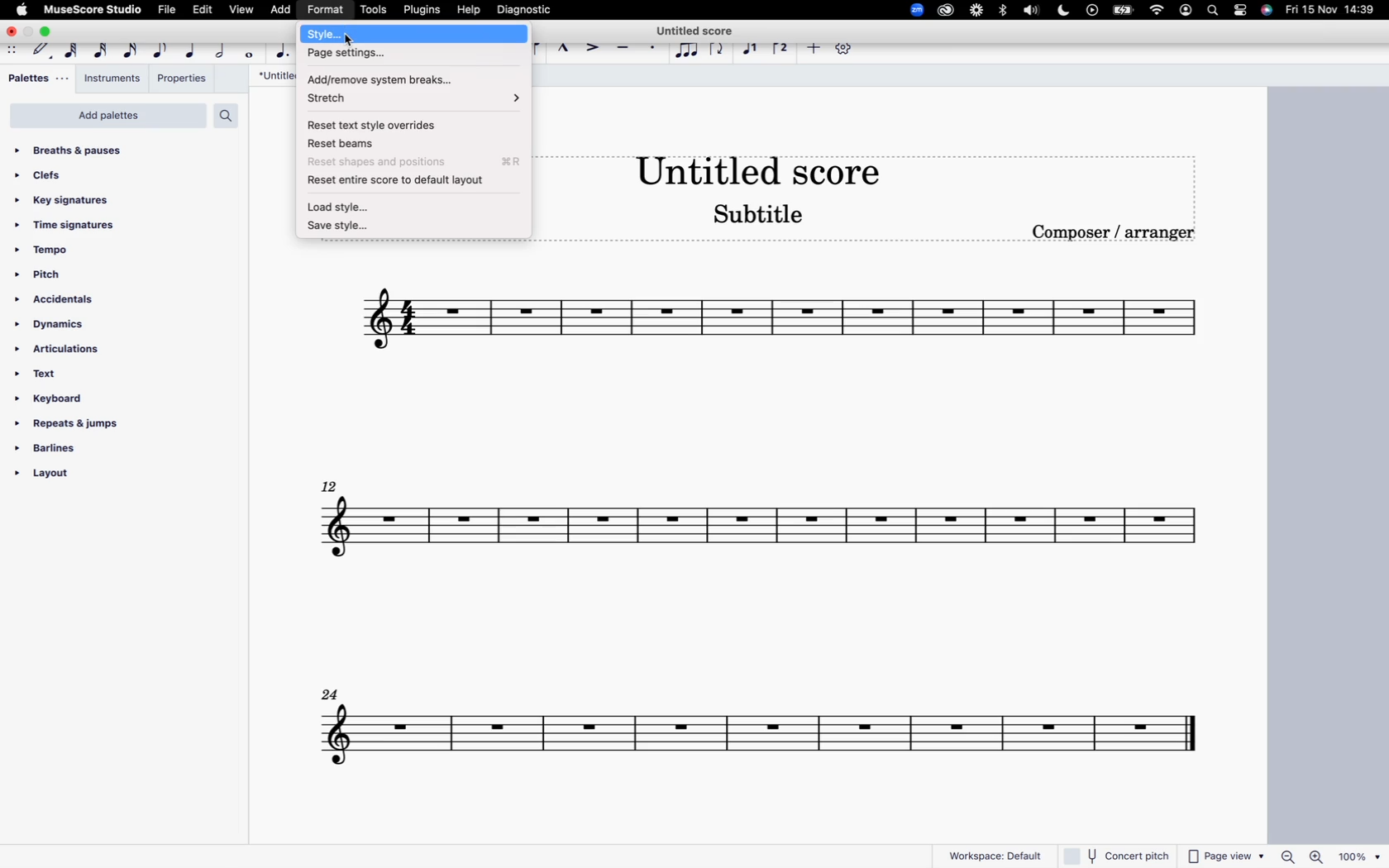 Image resolution: width=1389 pixels, height=868 pixels. Describe the element at coordinates (66, 301) in the screenshot. I see `accidentals` at that location.